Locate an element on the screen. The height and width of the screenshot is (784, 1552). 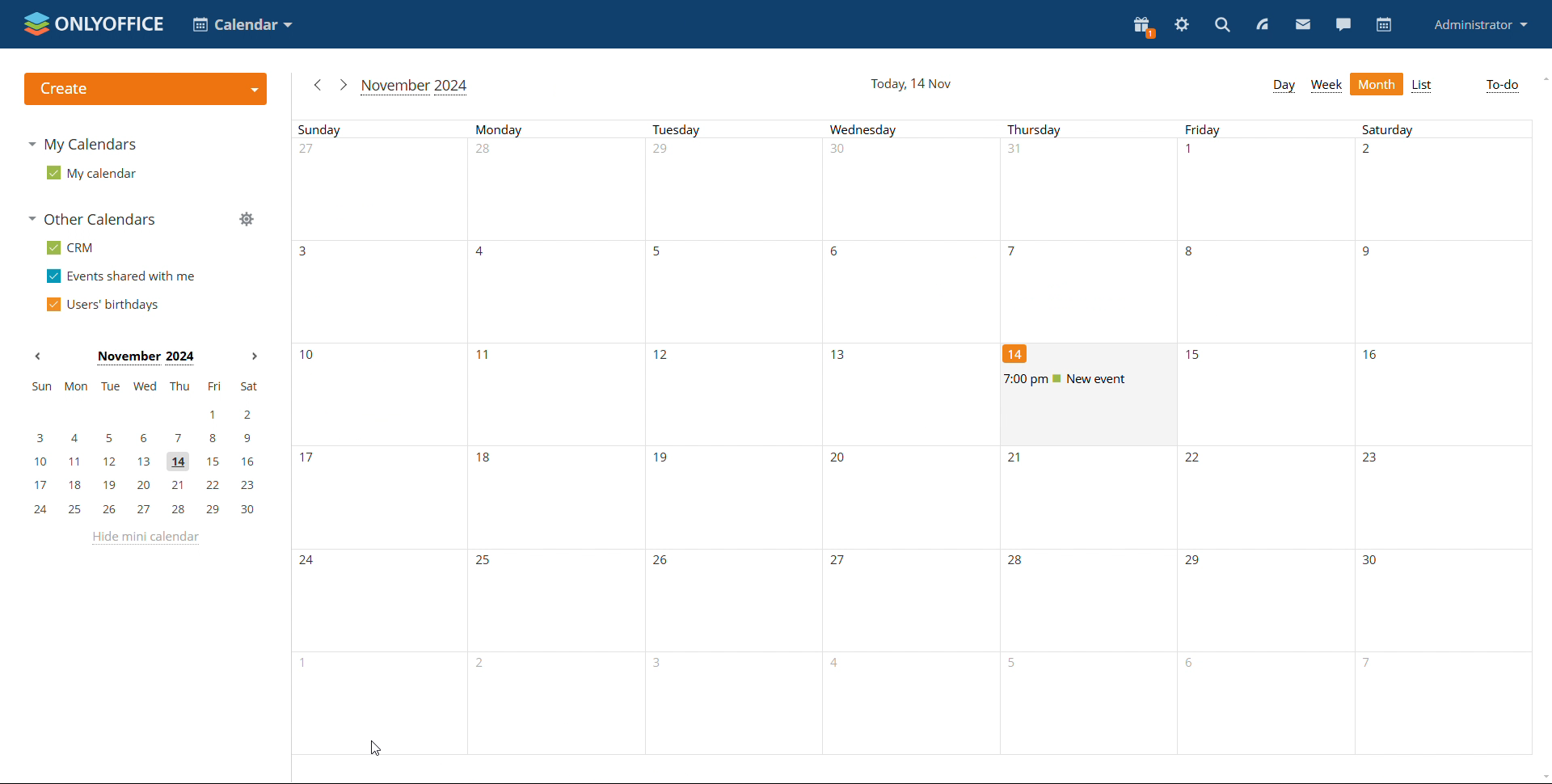
week view is located at coordinates (1326, 86).